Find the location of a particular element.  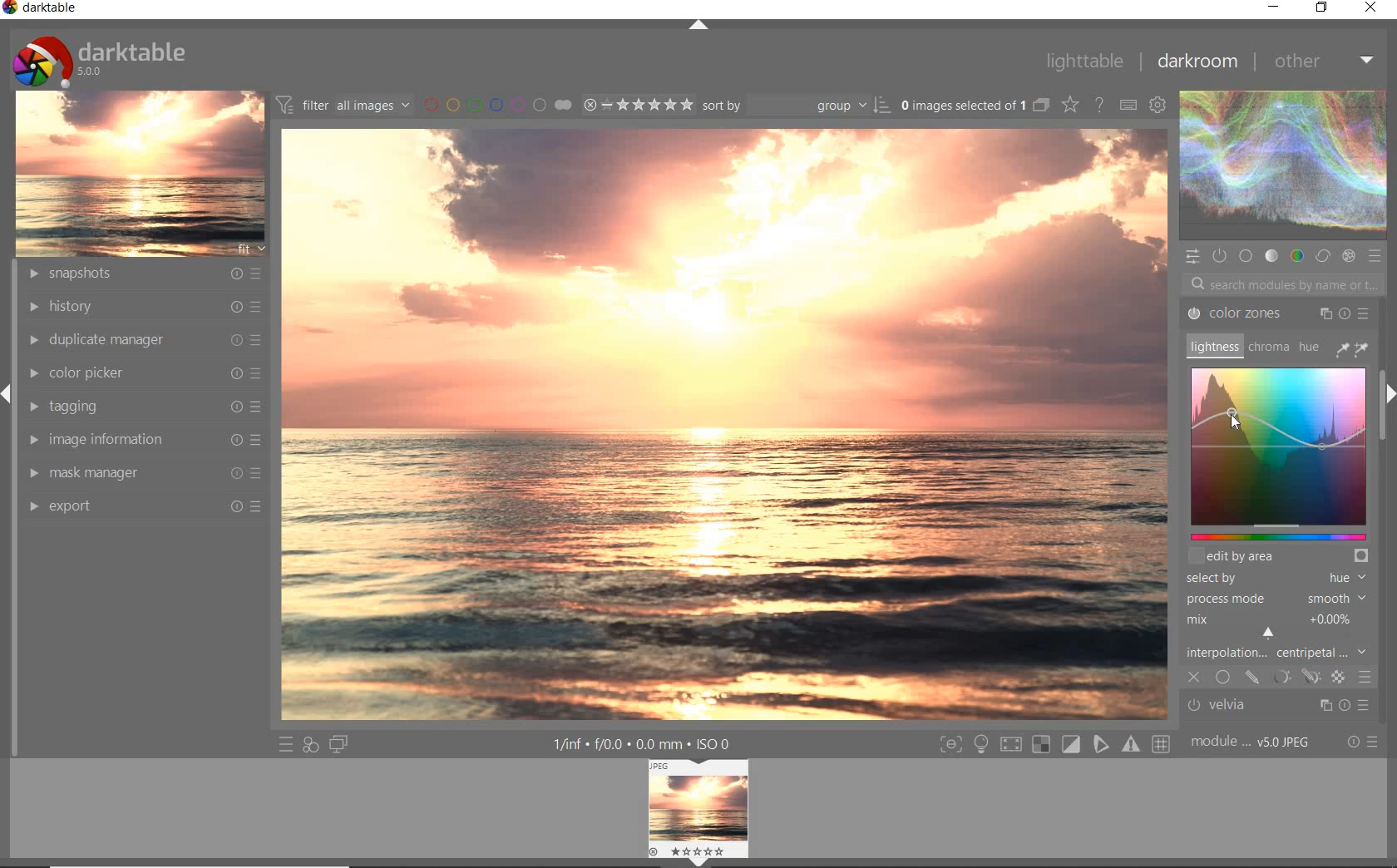

other is located at coordinates (1326, 65).